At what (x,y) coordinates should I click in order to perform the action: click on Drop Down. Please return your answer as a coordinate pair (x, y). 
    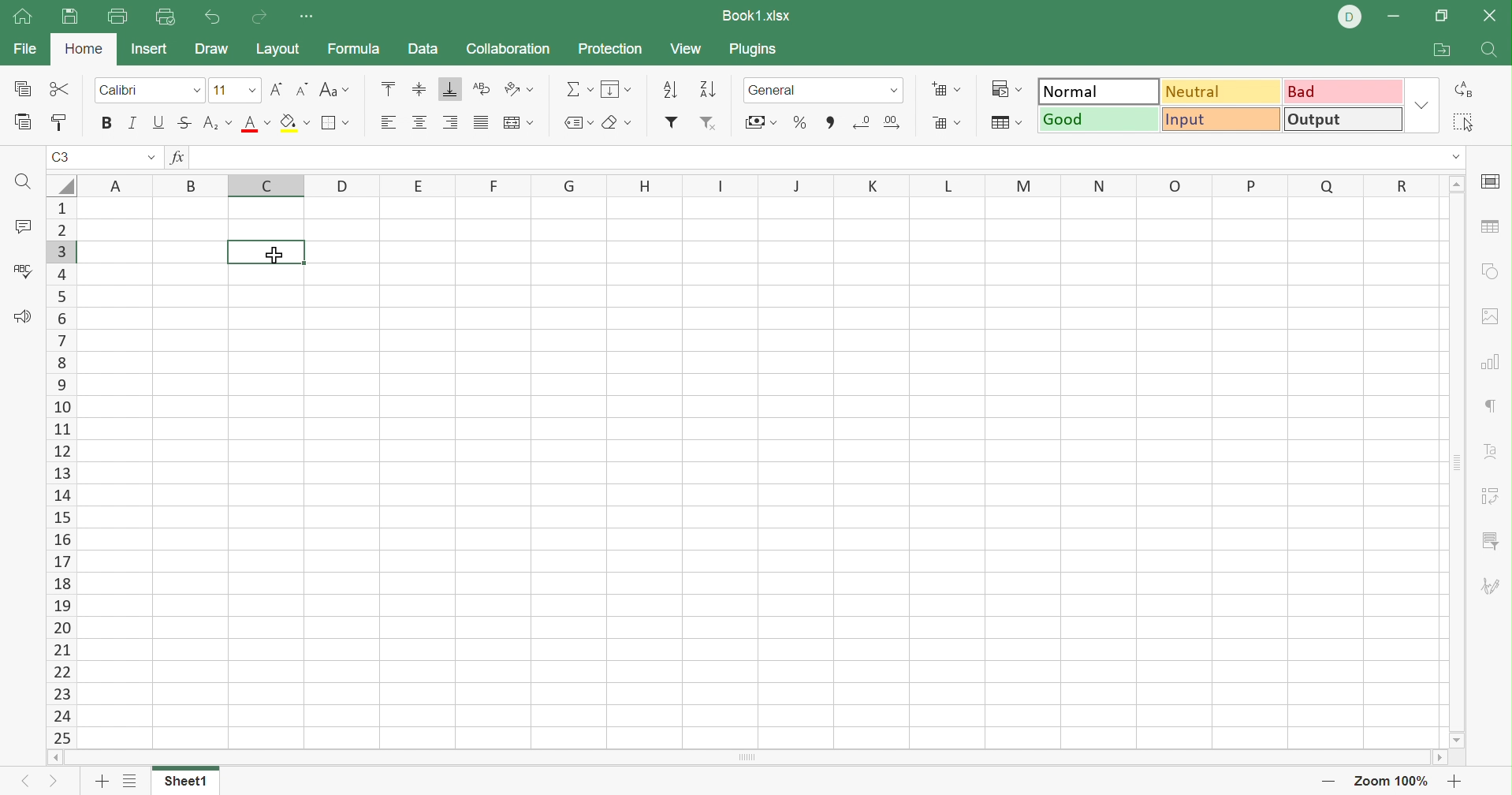
    Looking at the image, I should click on (1455, 156).